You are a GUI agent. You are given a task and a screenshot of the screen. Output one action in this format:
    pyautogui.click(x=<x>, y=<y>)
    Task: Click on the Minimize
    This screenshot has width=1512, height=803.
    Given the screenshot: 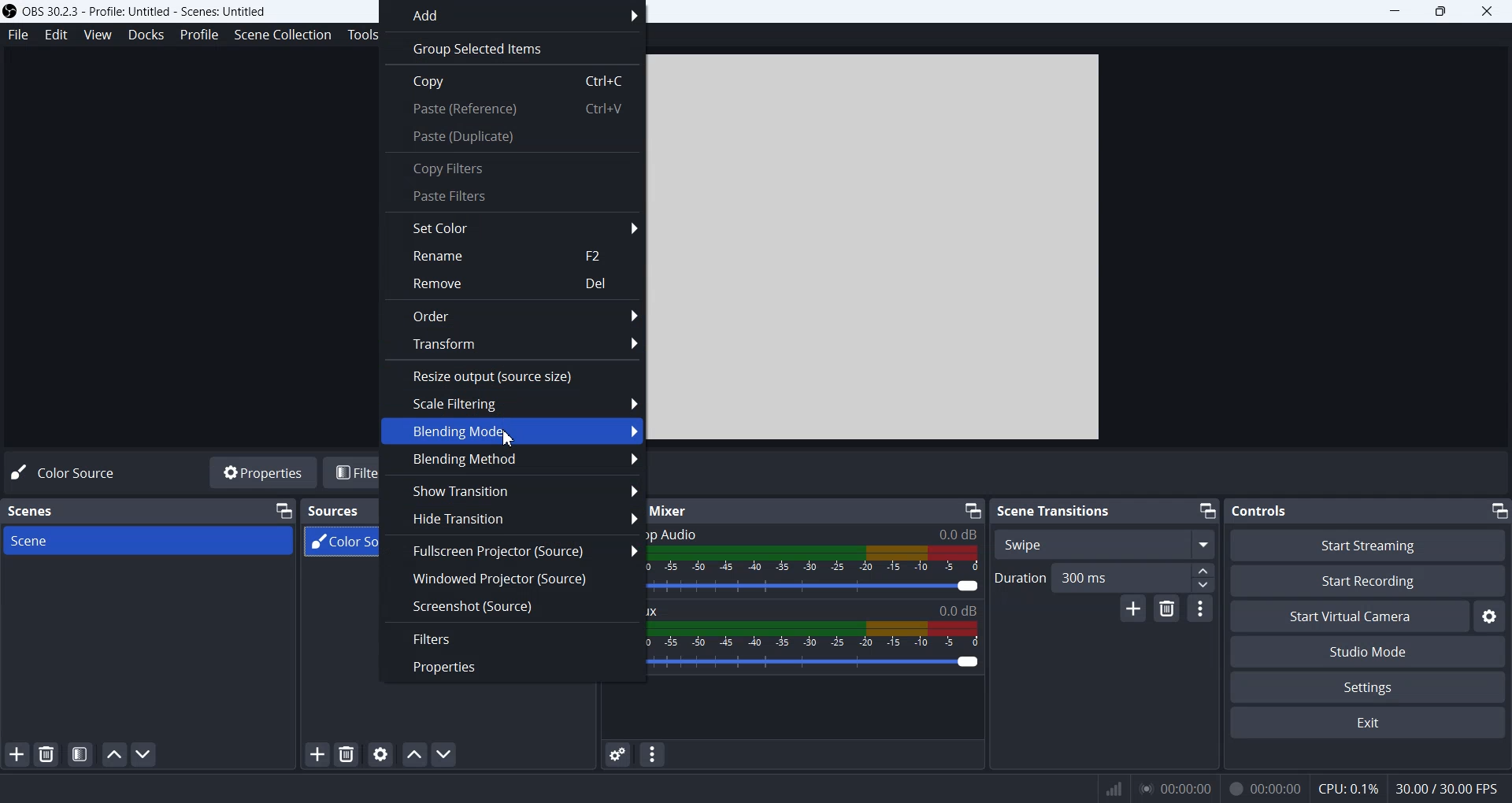 What is the action you would take?
    pyautogui.click(x=1207, y=512)
    